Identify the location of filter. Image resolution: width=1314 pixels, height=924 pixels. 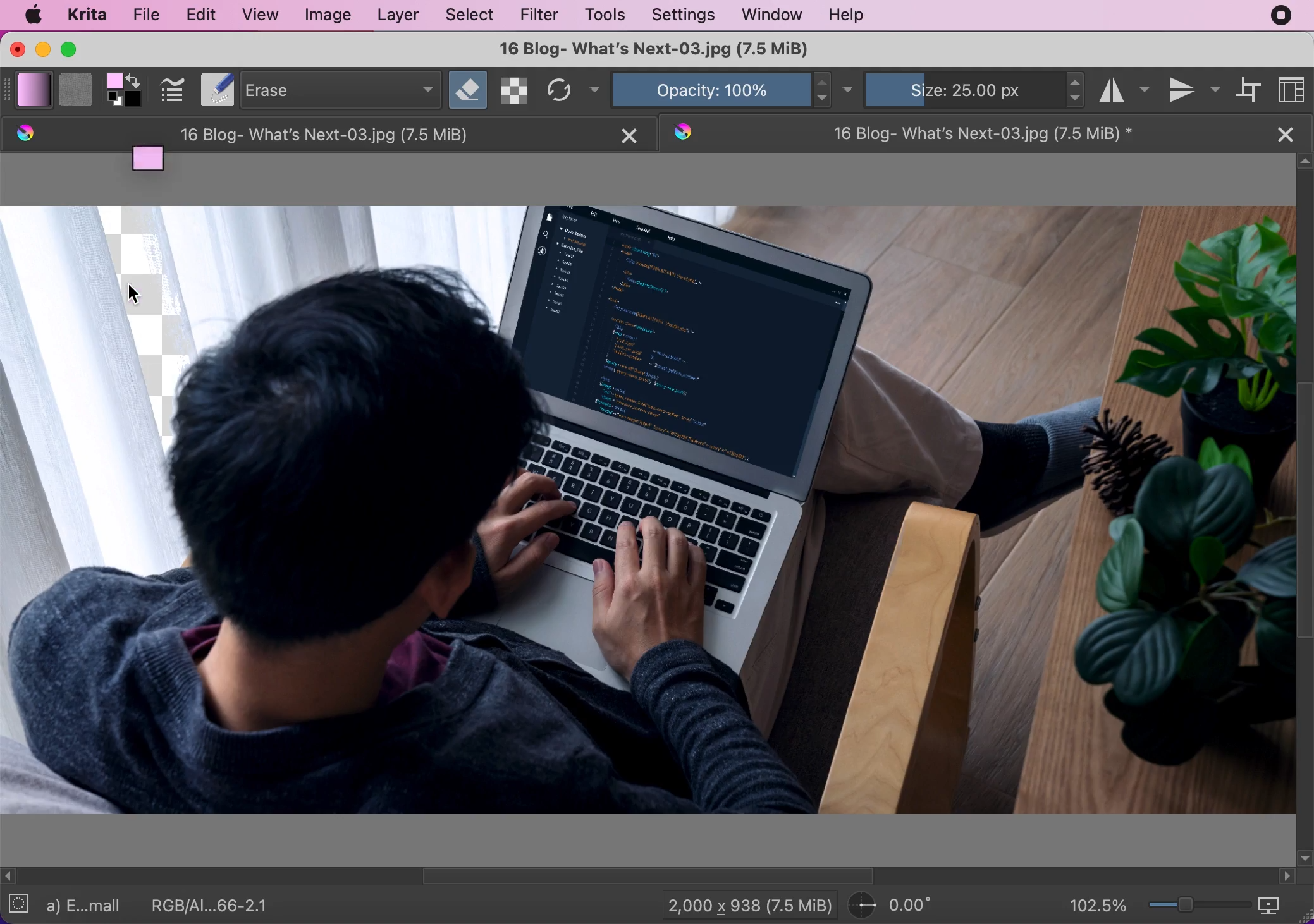
(544, 16).